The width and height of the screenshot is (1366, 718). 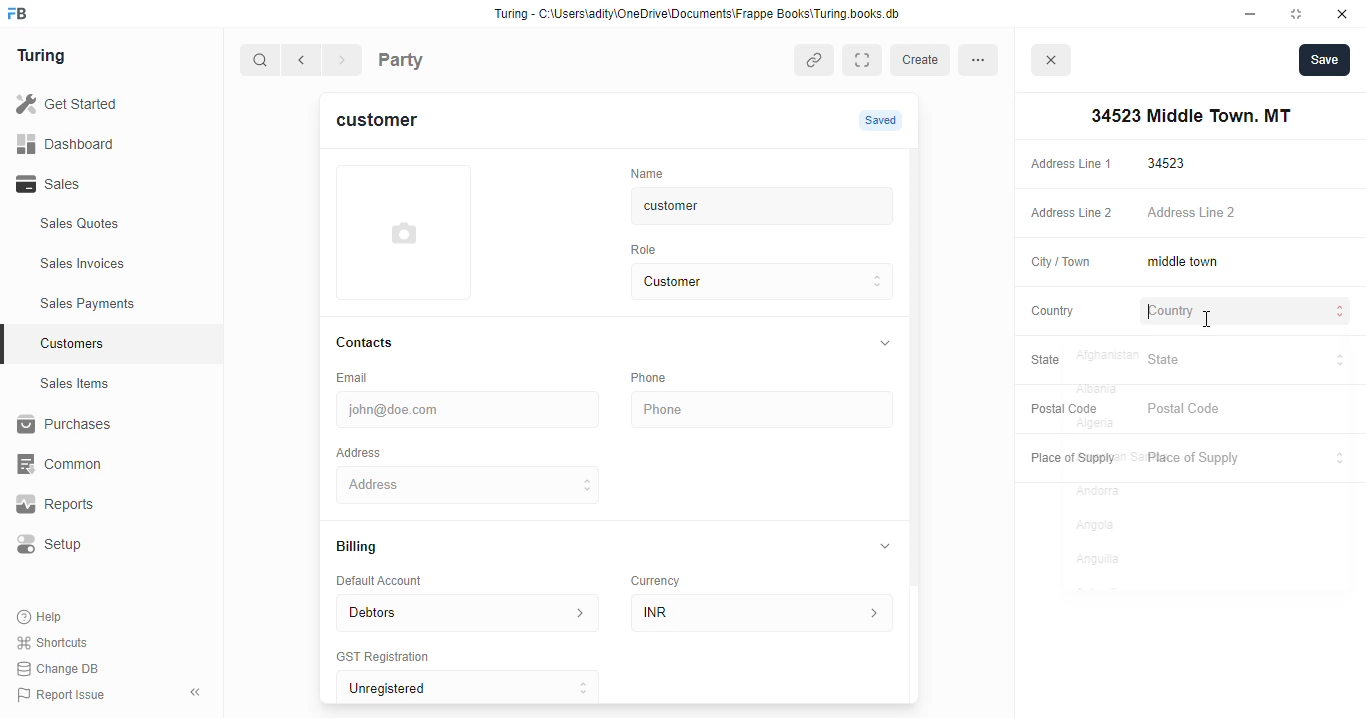 What do you see at coordinates (65, 693) in the screenshot?
I see `Report Issue` at bounding box center [65, 693].